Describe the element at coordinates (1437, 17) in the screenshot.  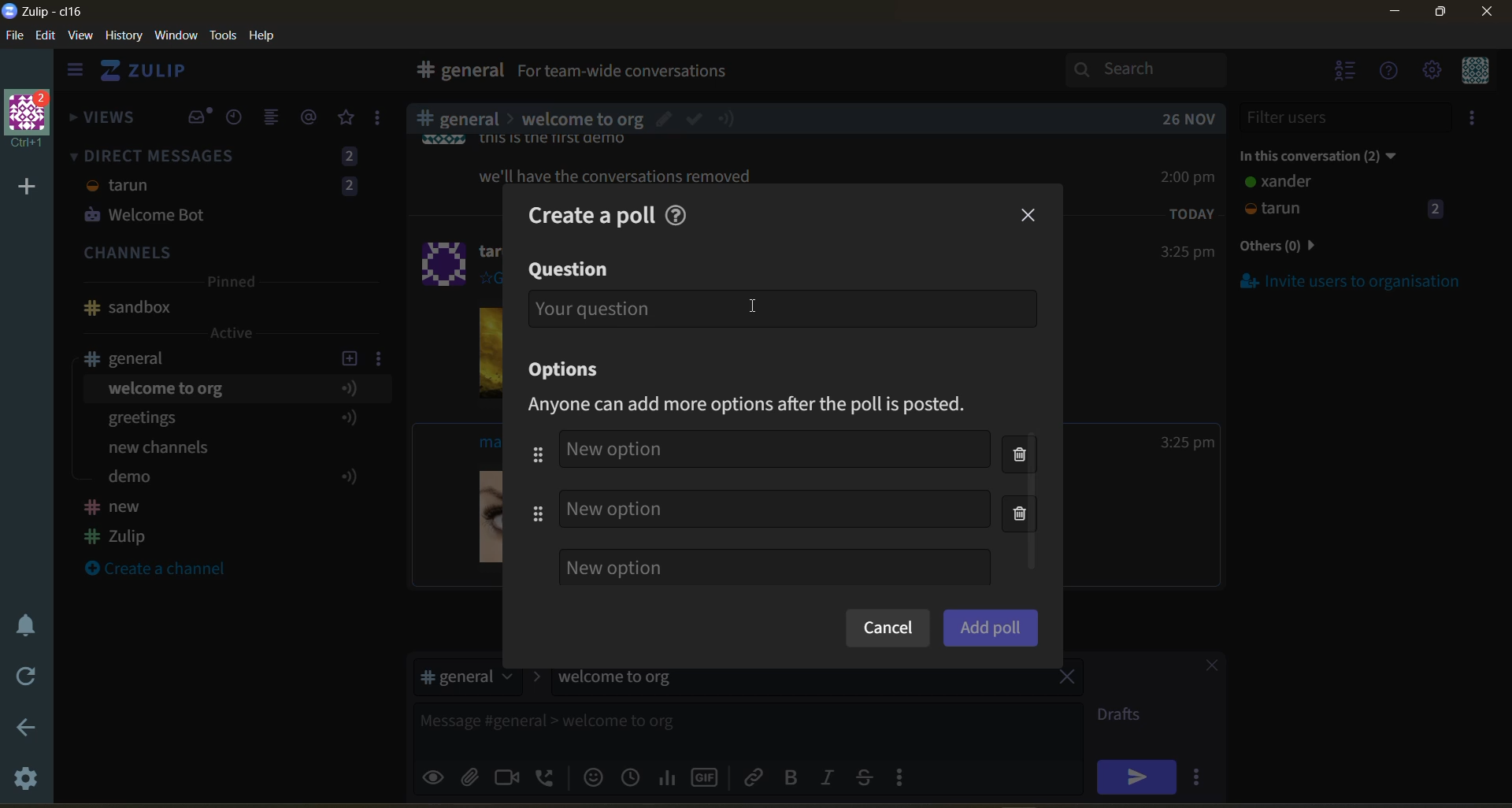
I see `maximize` at that location.